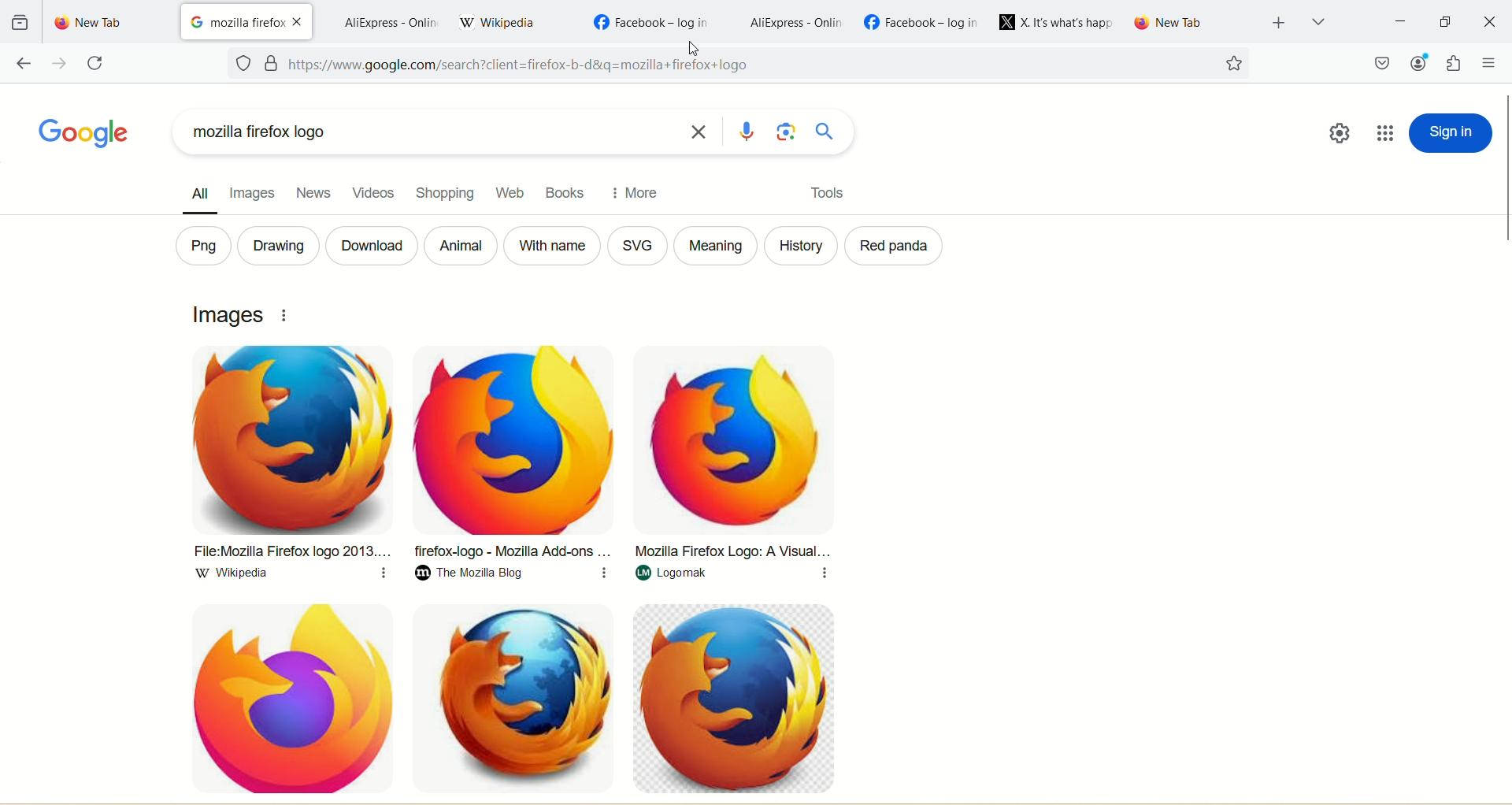 The height and width of the screenshot is (805, 1512). I want to click on minimize, so click(1399, 20).